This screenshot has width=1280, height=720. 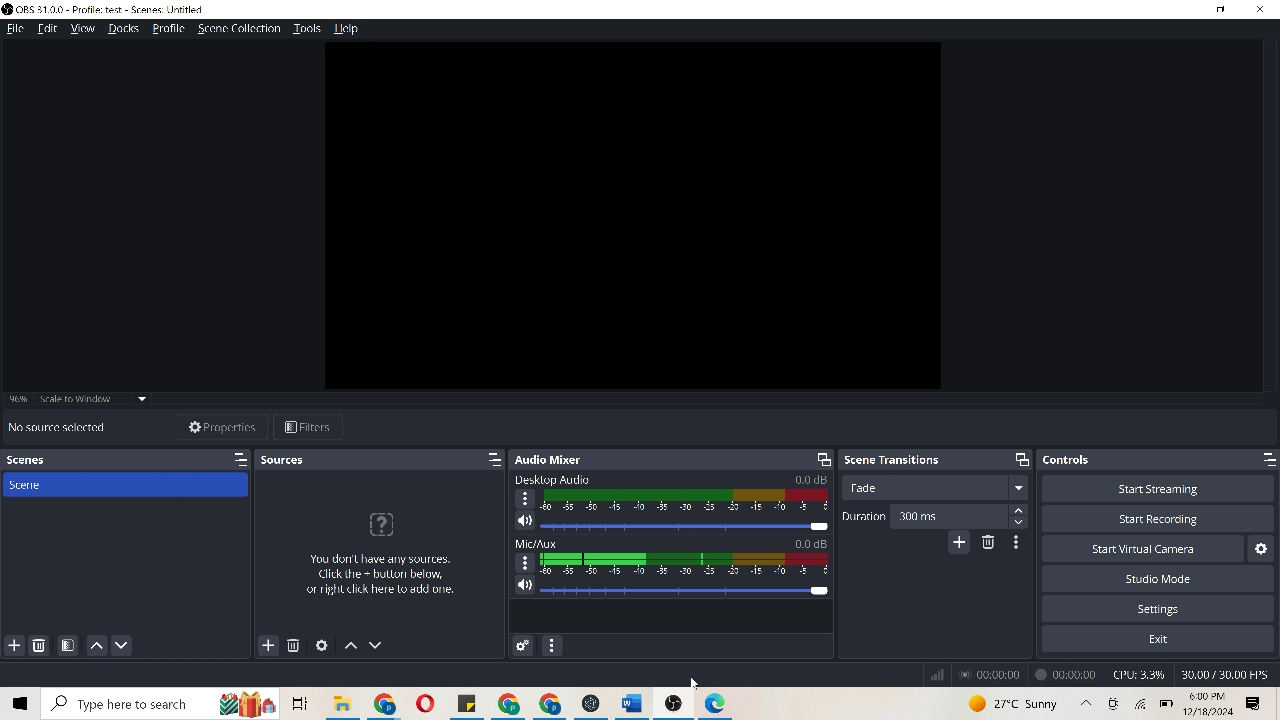 I want to click on window icon, so click(x=20, y=705).